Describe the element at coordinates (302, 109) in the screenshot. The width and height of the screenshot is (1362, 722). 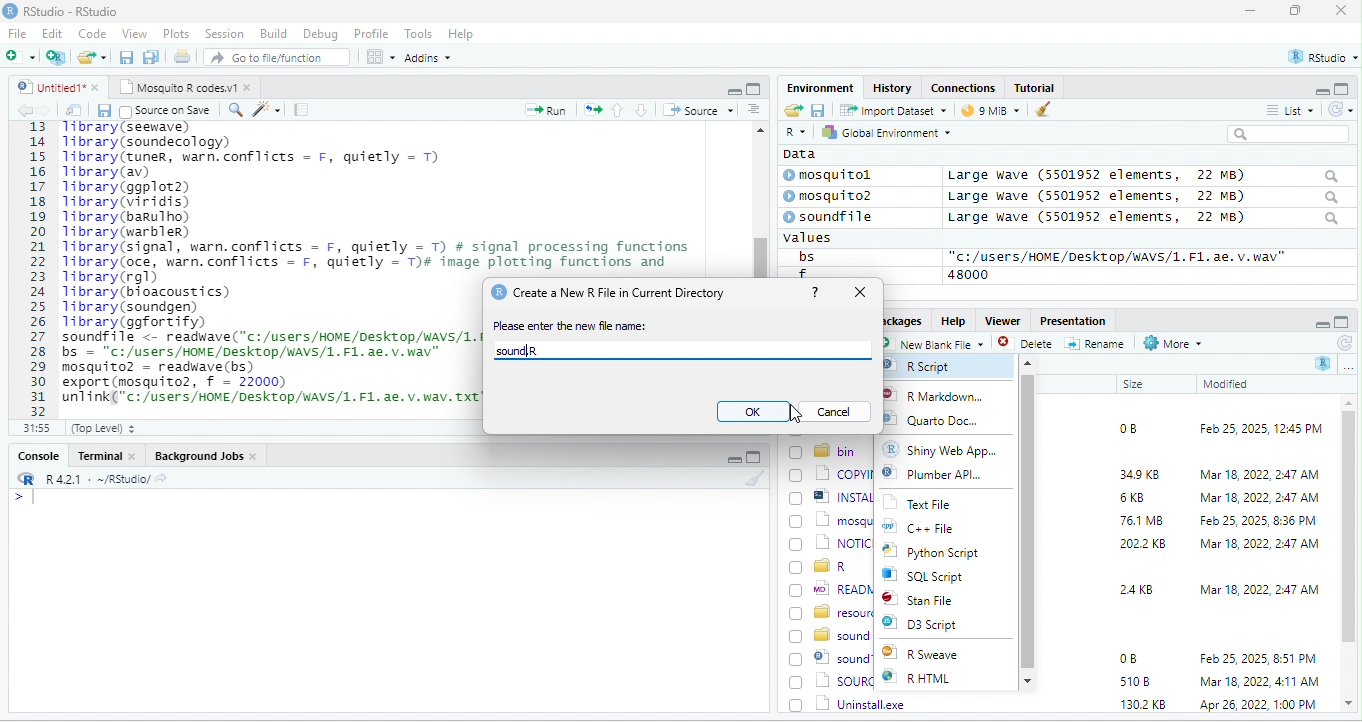
I see `note` at that location.